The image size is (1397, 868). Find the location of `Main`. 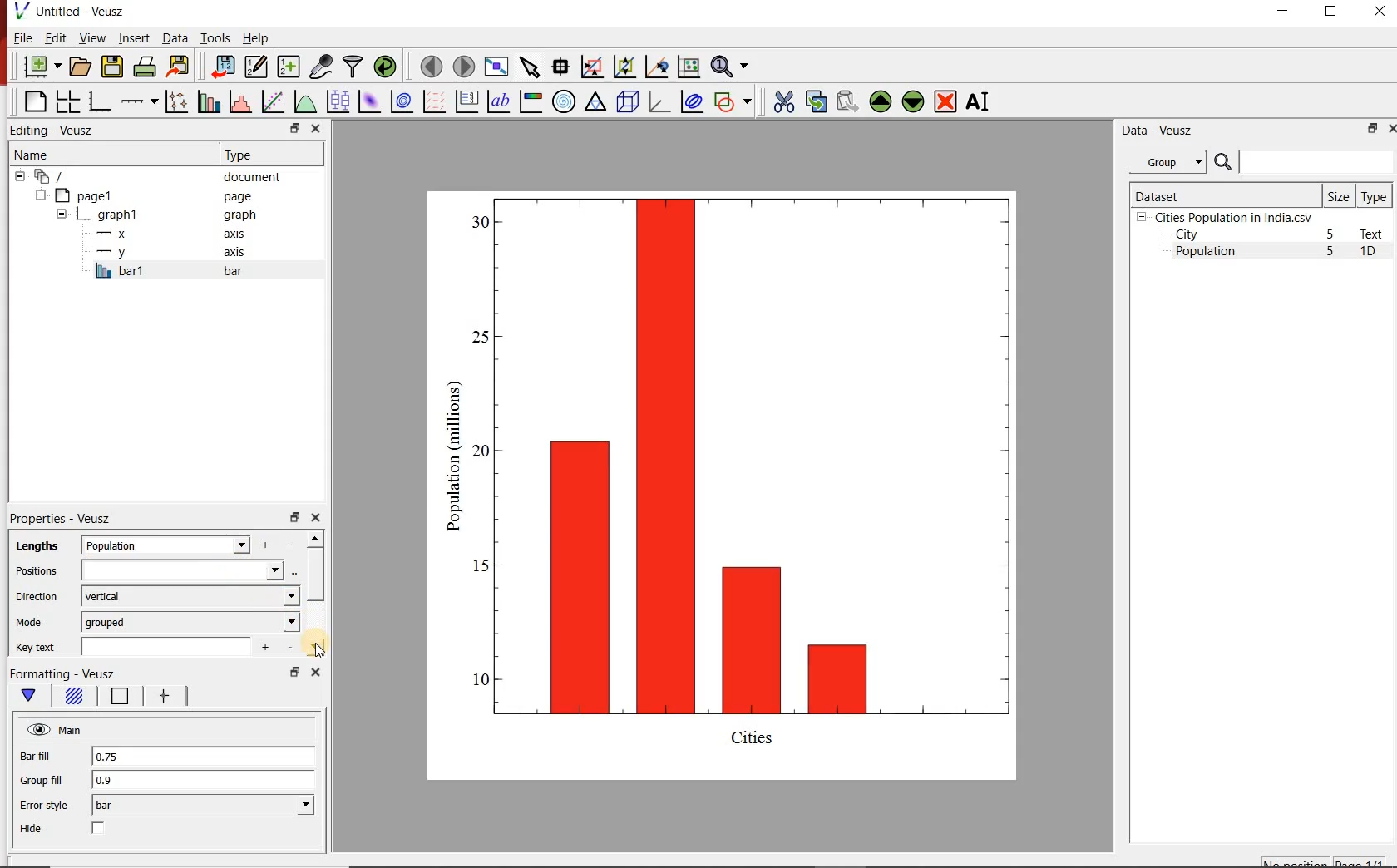

Main is located at coordinates (56, 730).